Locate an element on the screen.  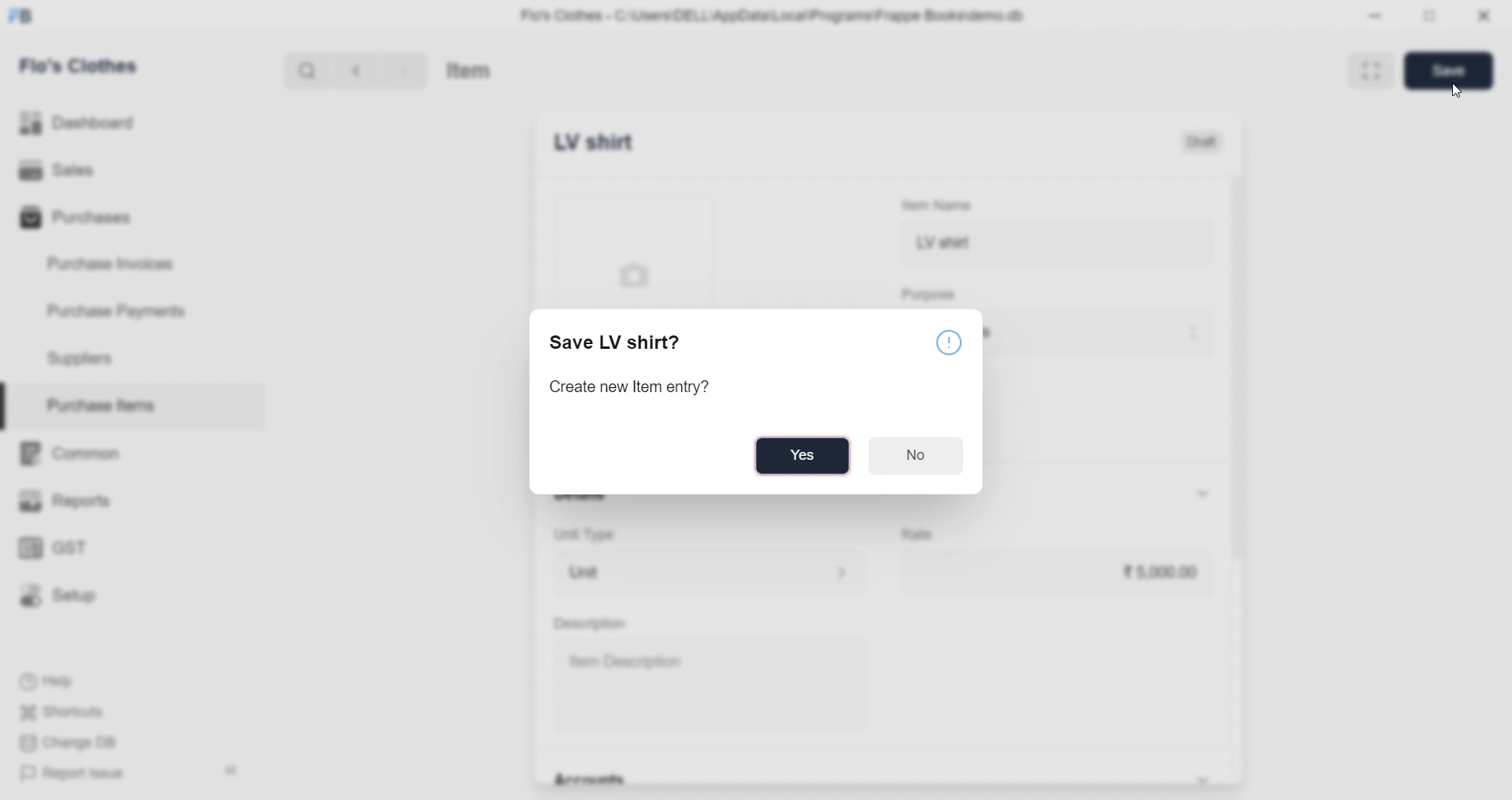
Notice is located at coordinates (948, 345).